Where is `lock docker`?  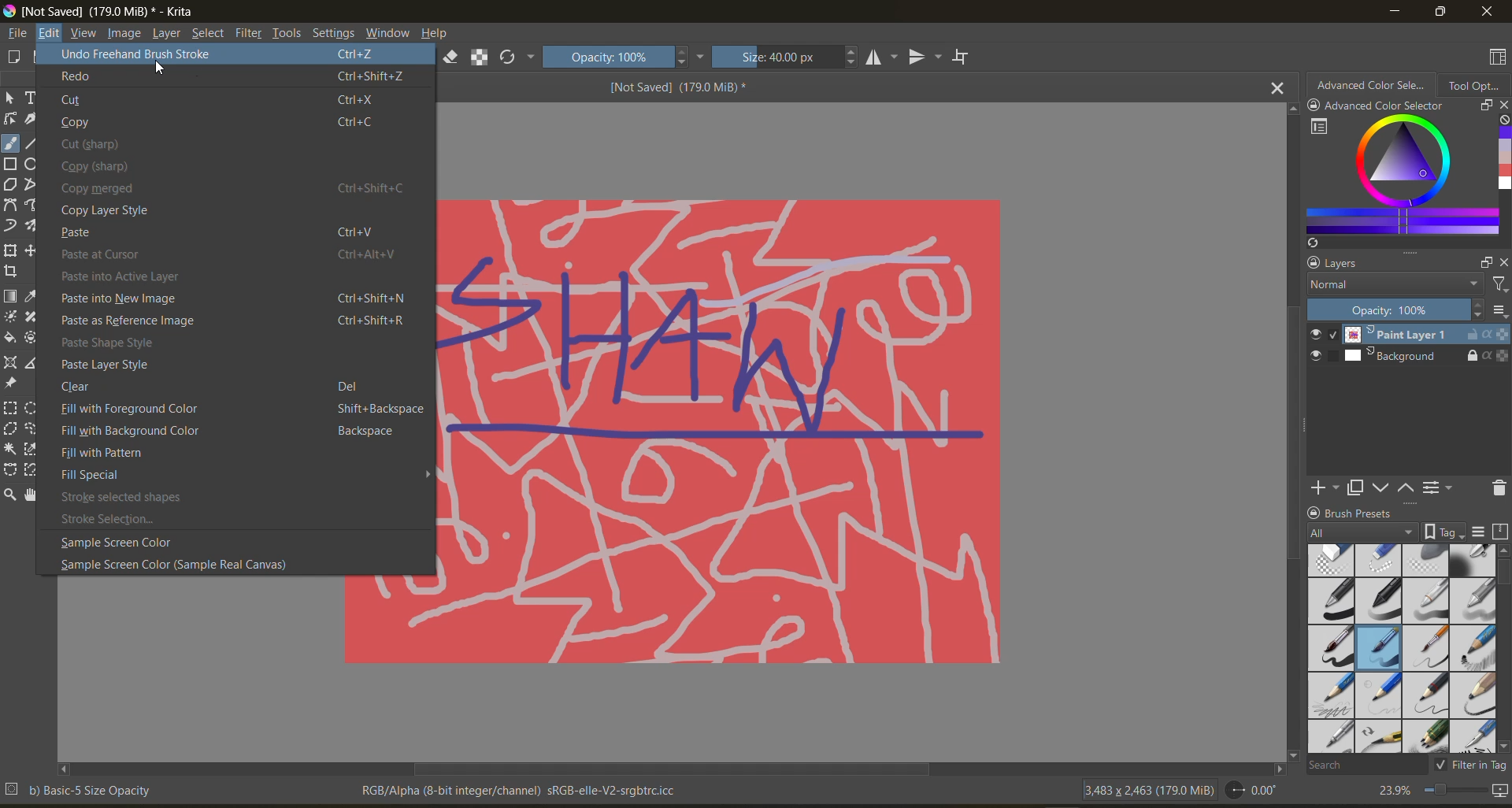 lock docker is located at coordinates (1313, 511).